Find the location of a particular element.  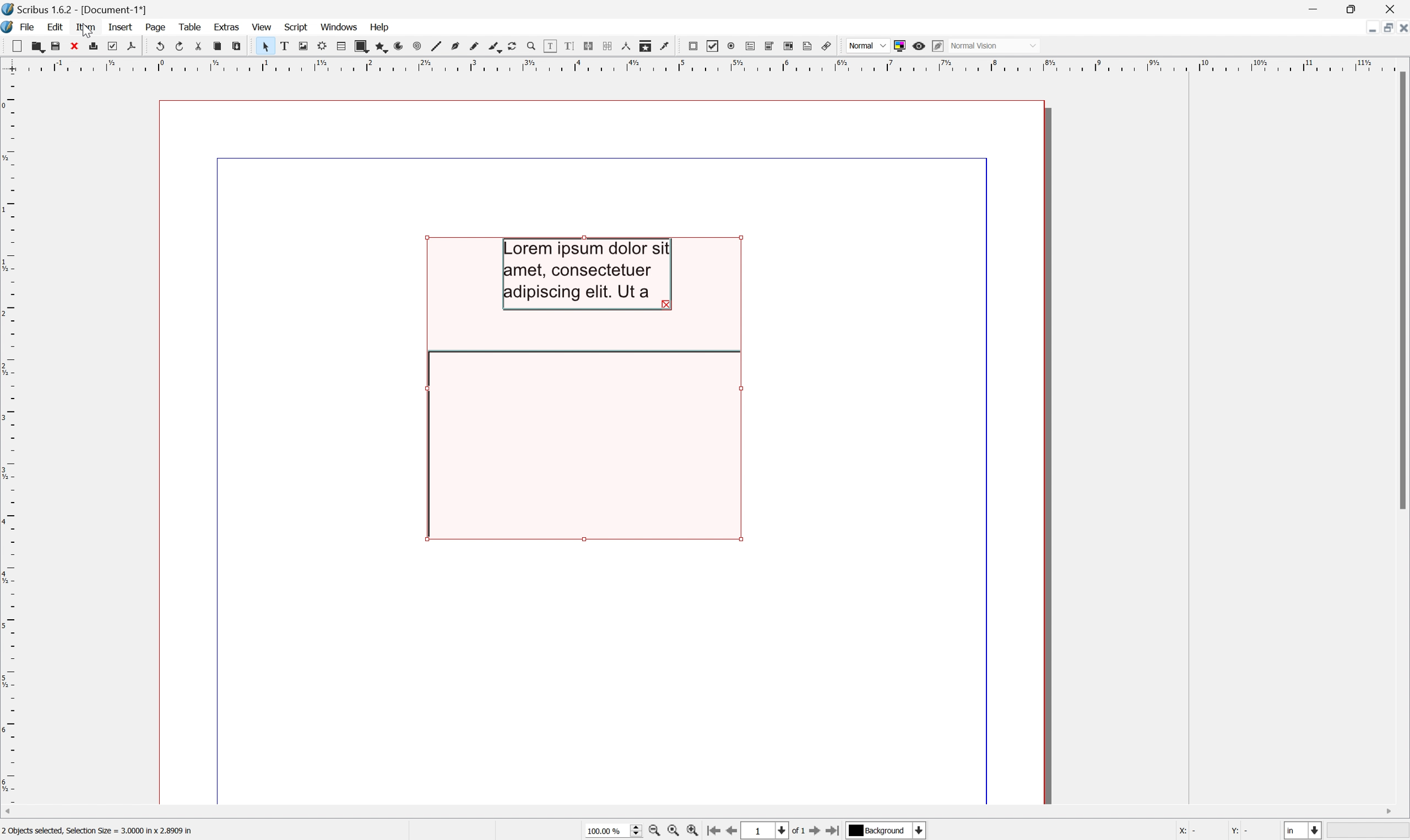

View is located at coordinates (263, 27).